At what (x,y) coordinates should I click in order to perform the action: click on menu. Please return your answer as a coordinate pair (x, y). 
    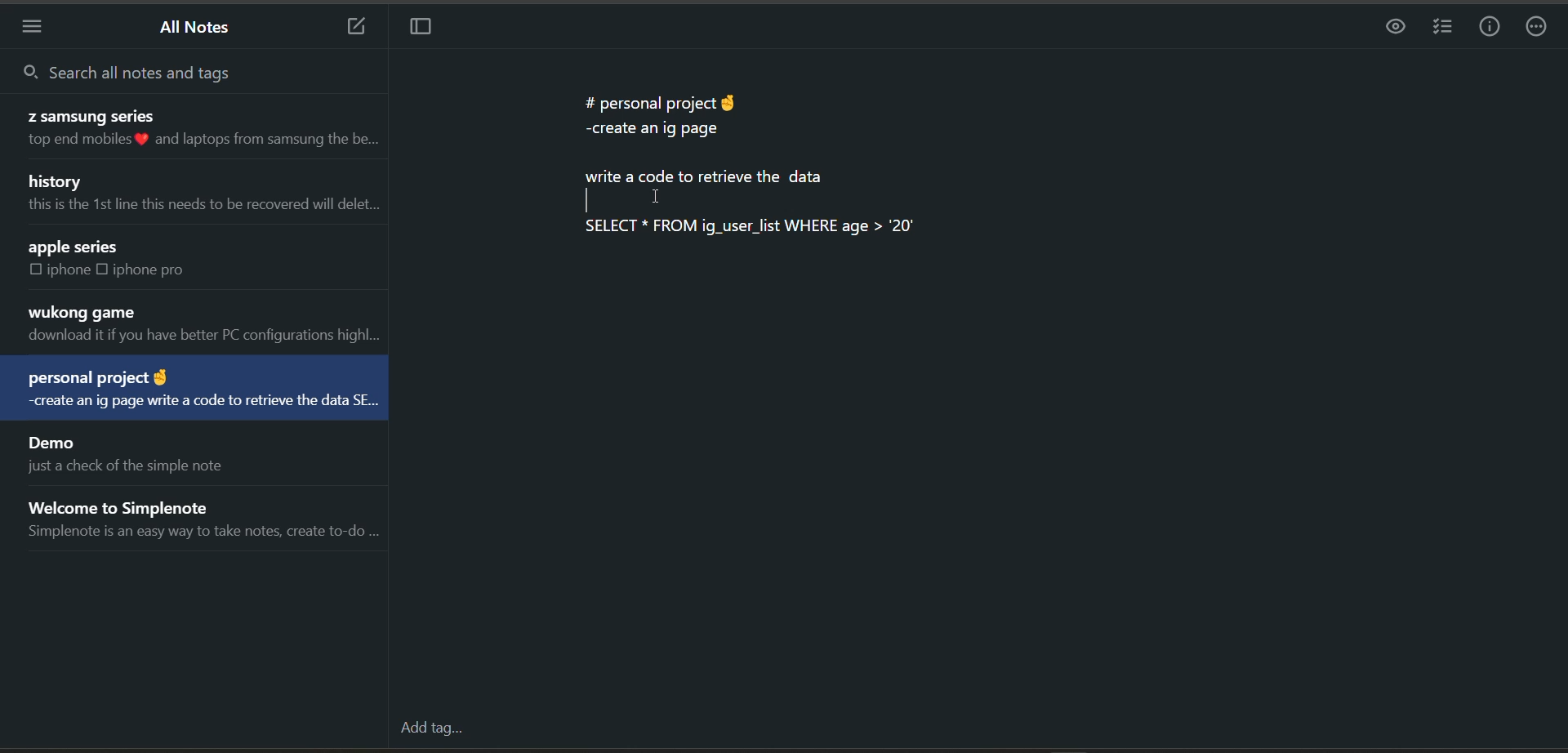
    Looking at the image, I should click on (38, 26).